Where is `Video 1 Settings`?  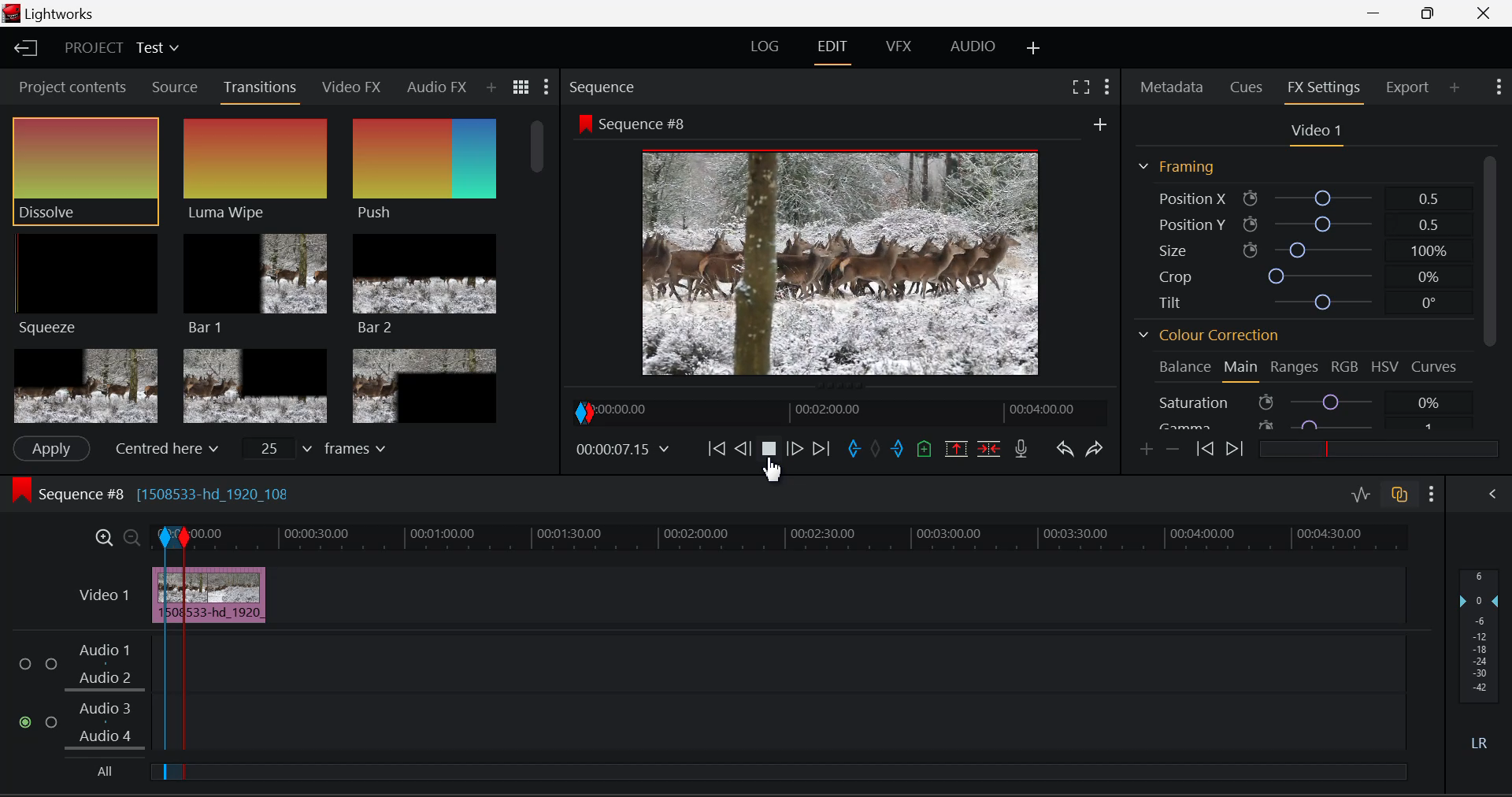
Video 1 Settings is located at coordinates (1314, 132).